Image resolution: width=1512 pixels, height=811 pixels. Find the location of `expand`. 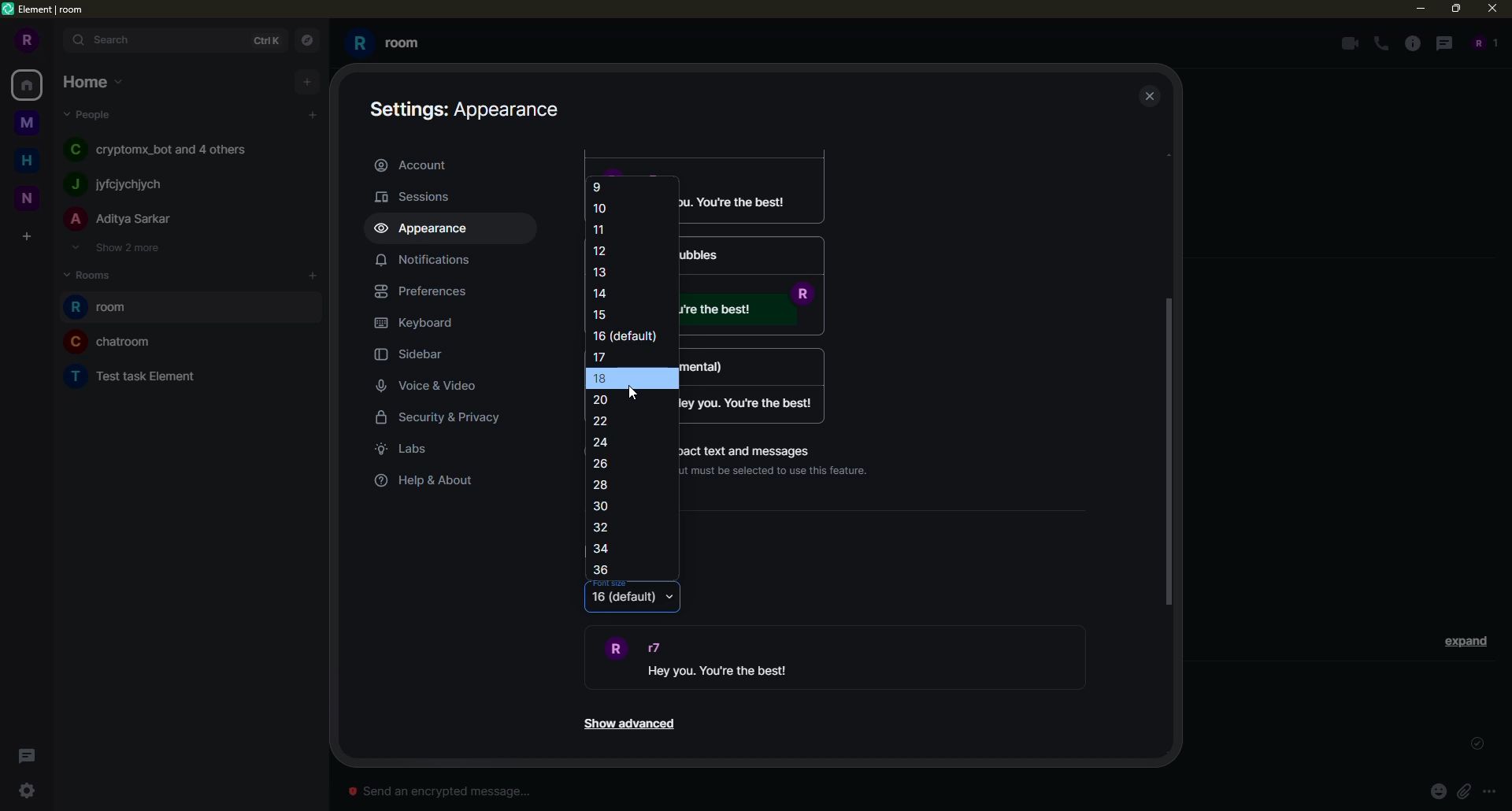

expand is located at coordinates (1466, 640).